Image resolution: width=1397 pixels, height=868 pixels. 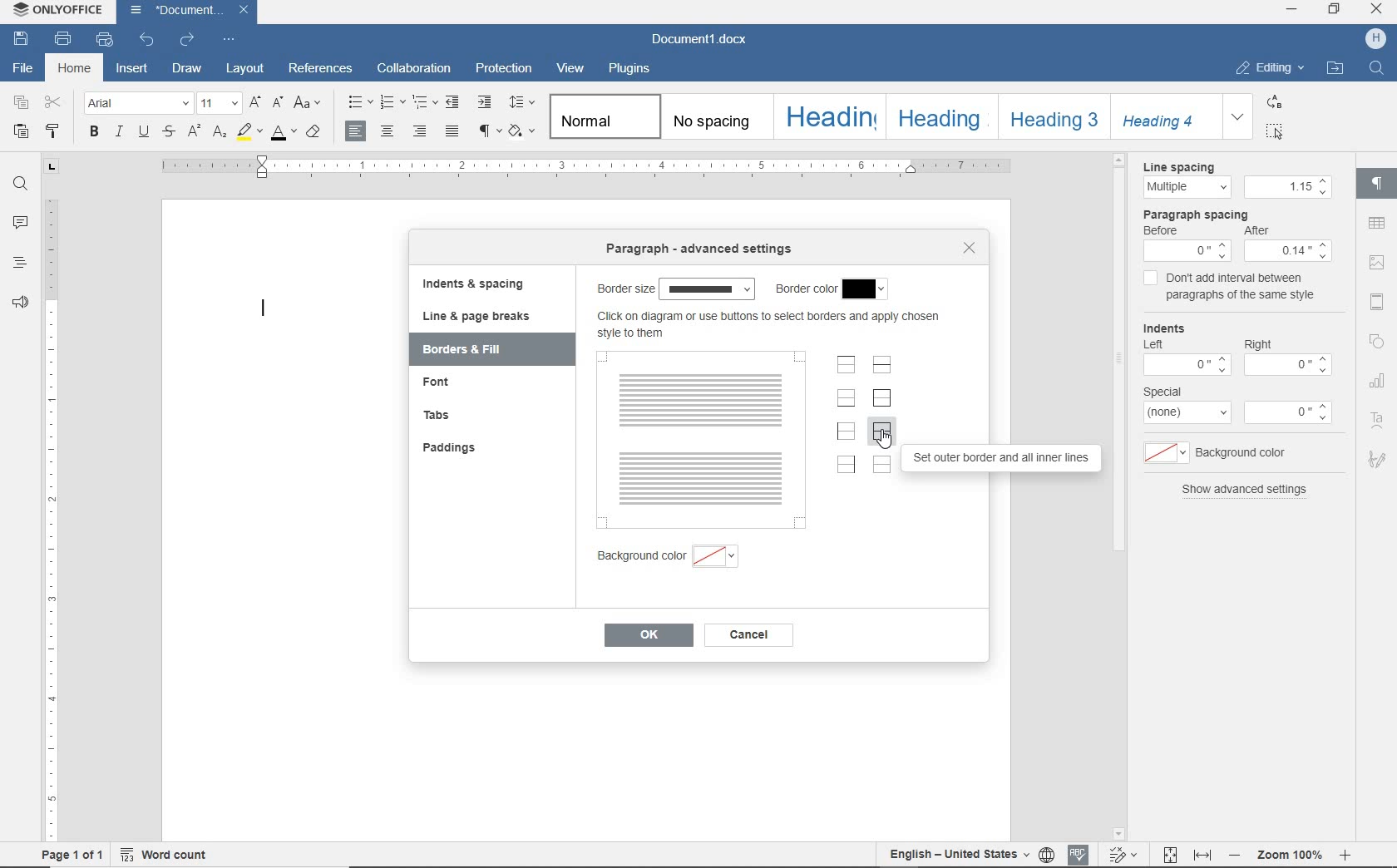 I want to click on paste, so click(x=21, y=131).